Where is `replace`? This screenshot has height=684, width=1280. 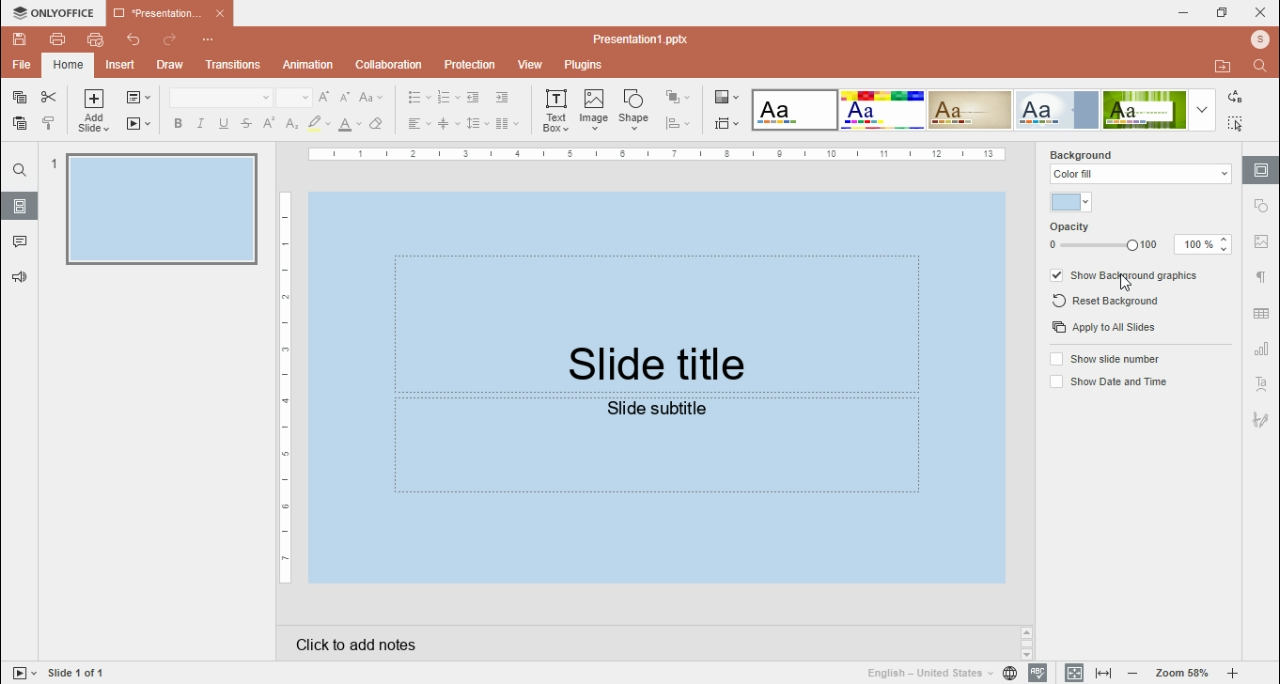 replace is located at coordinates (1236, 97).